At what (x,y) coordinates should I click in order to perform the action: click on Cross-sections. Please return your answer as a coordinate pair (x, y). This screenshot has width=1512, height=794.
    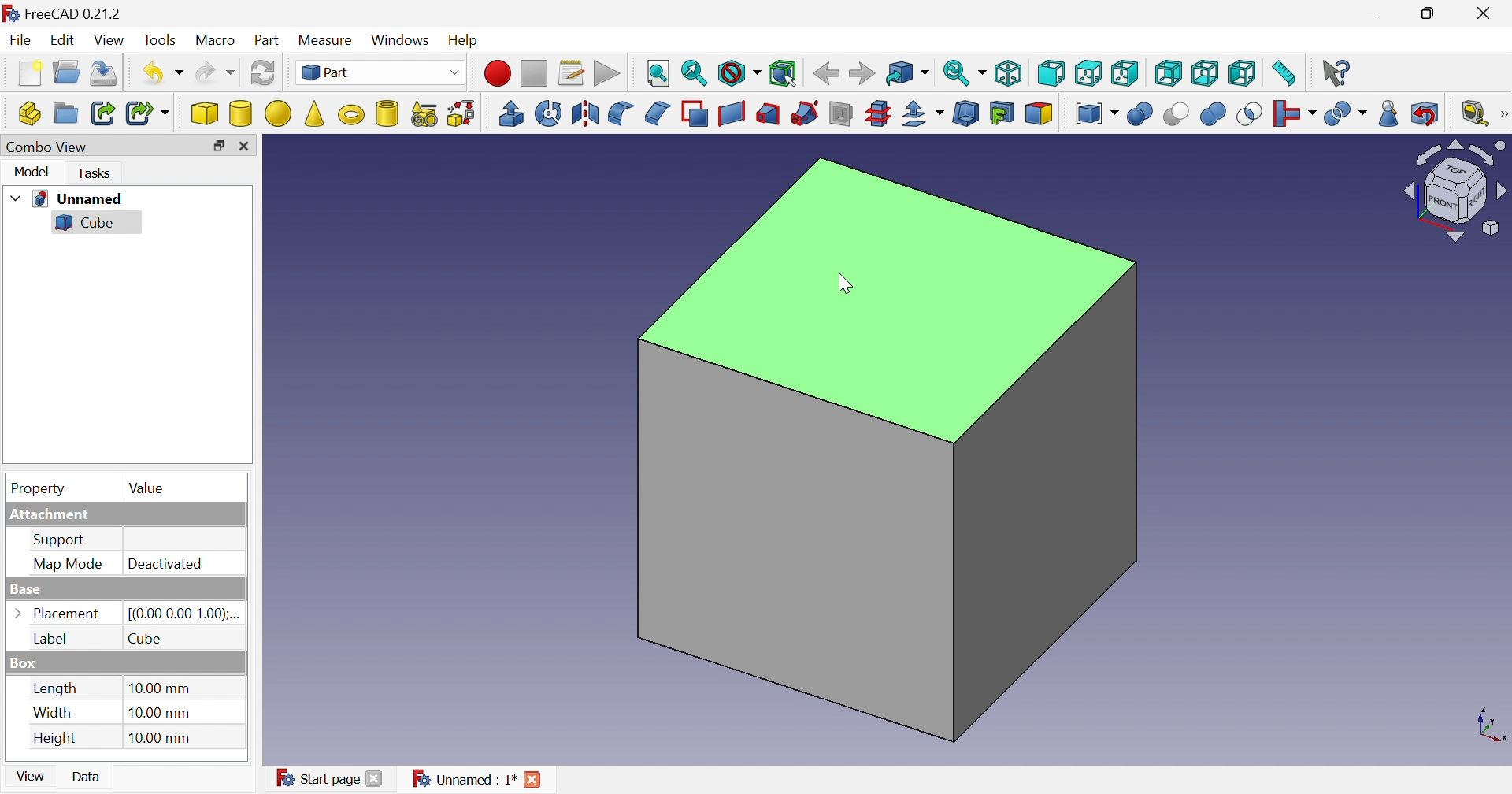
    Looking at the image, I should click on (879, 113).